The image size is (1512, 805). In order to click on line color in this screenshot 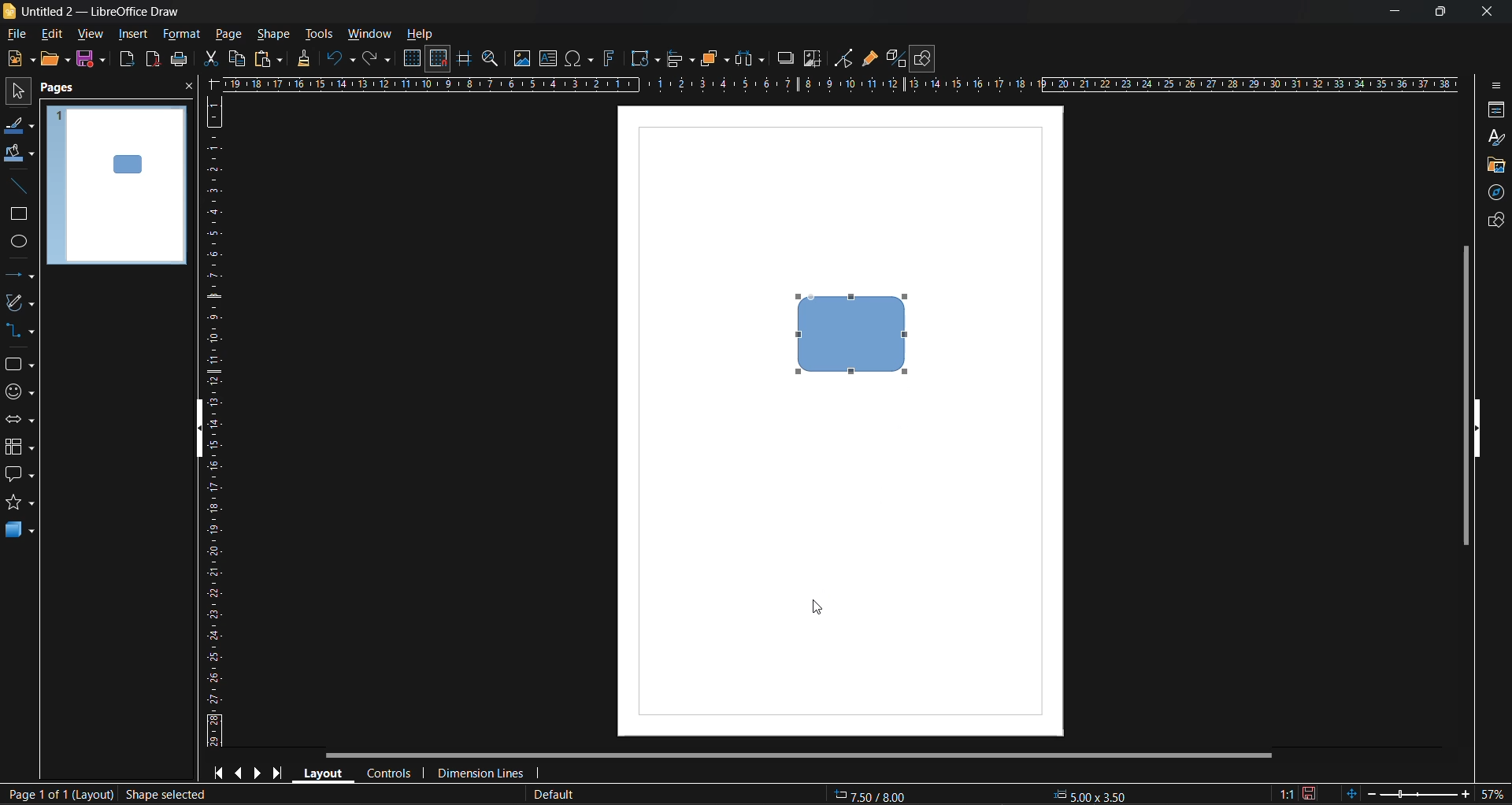, I will do `click(20, 128)`.